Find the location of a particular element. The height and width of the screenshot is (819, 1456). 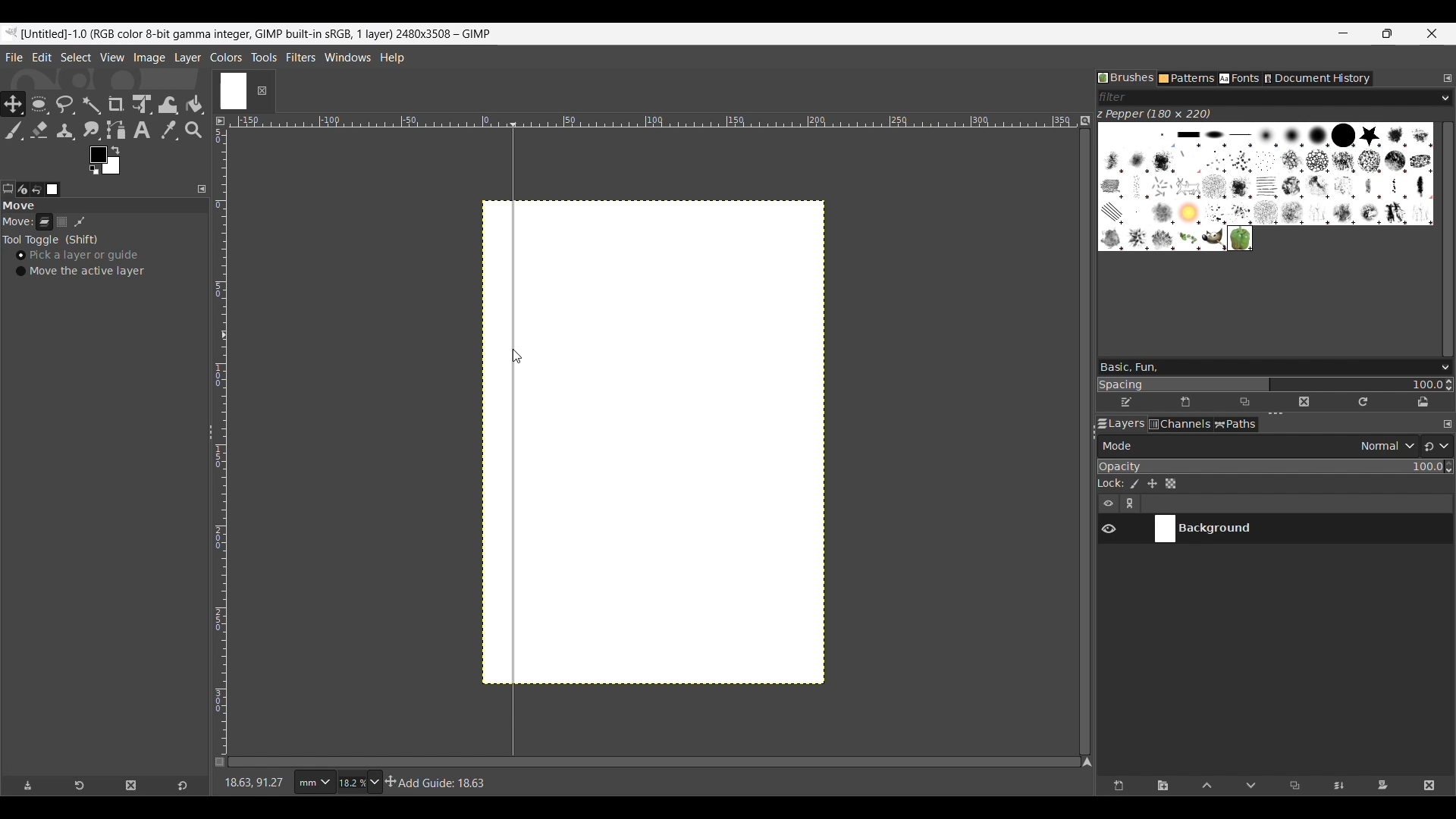

Delete tool preset is located at coordinates (131, 786).